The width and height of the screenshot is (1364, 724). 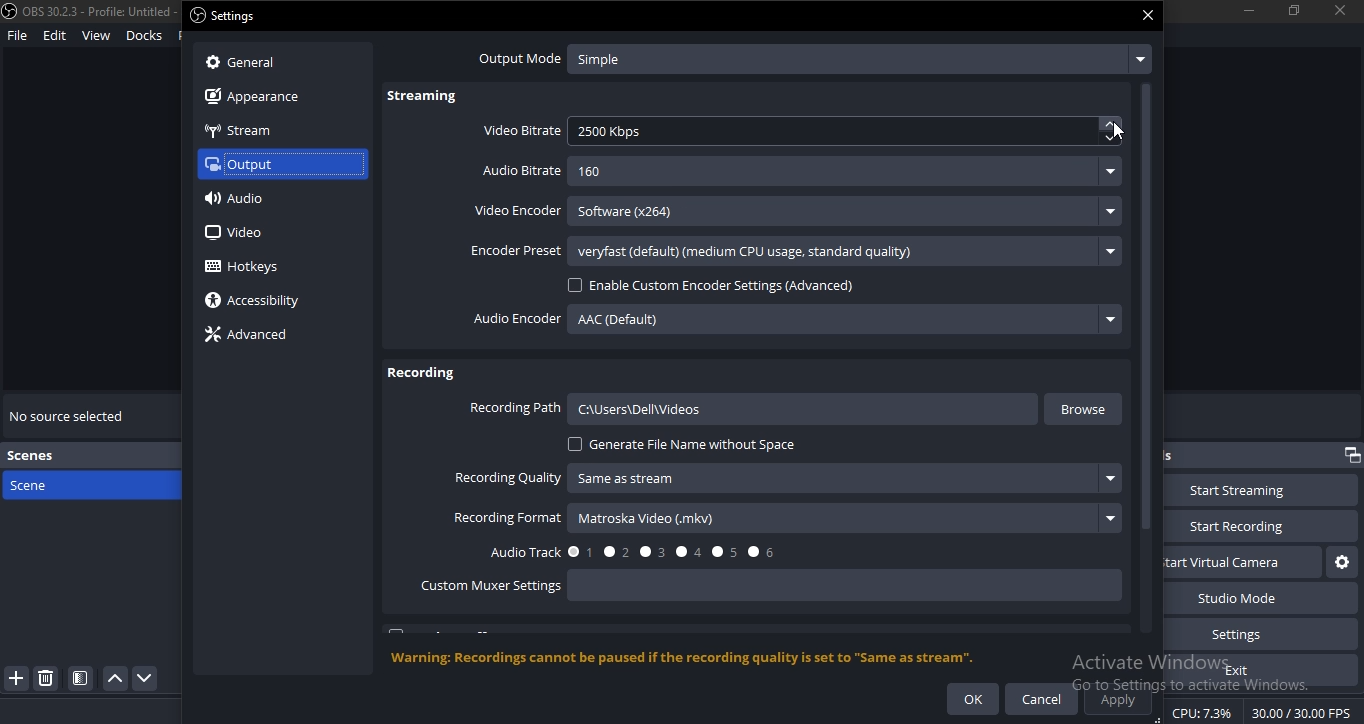 What do you see at coordinates (145, 34) in the screenshot?
I see `docks` at bounding box center [145, 34].